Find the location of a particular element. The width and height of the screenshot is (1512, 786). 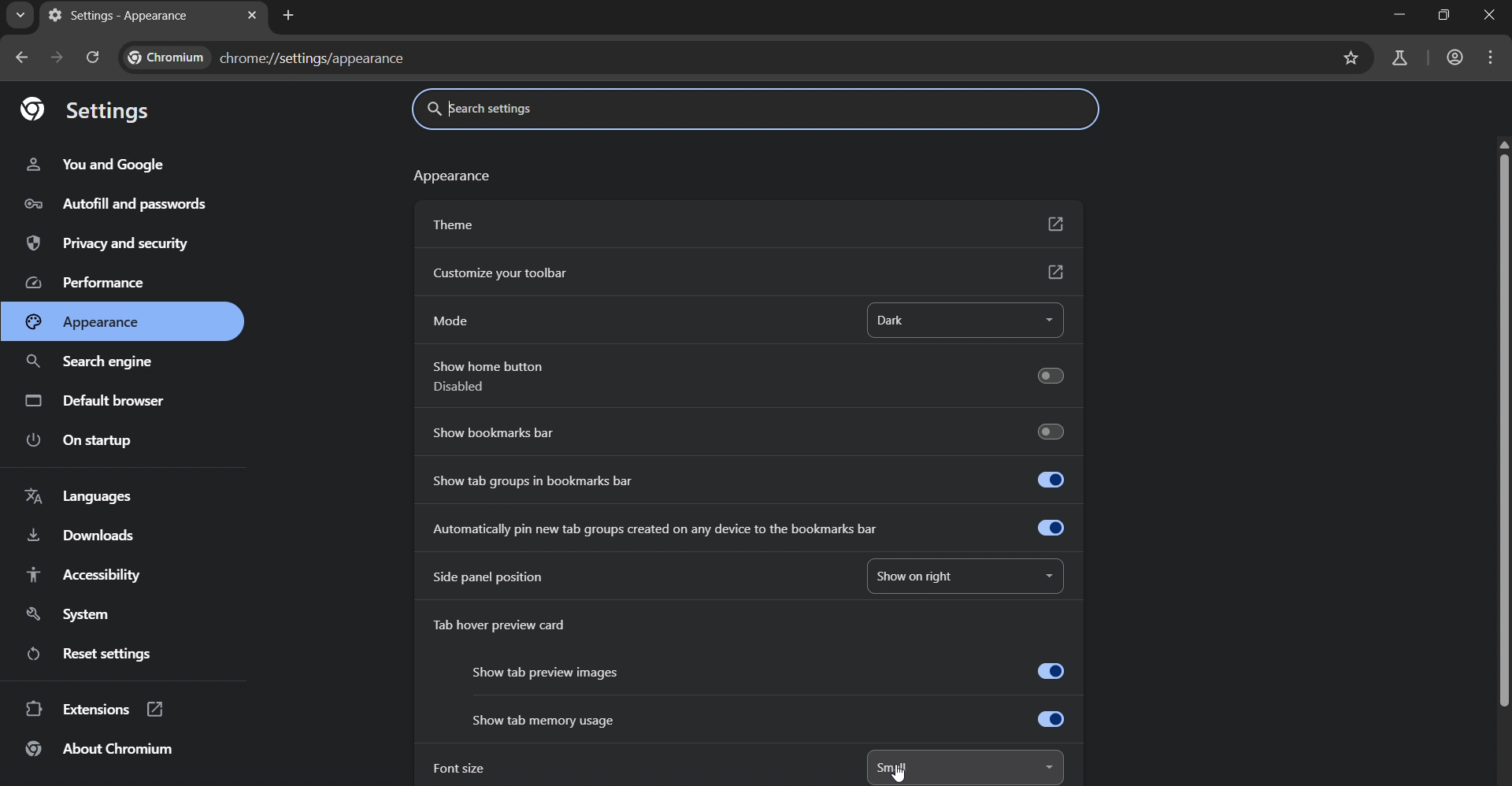

on startup is located at coordinates (83, 441).